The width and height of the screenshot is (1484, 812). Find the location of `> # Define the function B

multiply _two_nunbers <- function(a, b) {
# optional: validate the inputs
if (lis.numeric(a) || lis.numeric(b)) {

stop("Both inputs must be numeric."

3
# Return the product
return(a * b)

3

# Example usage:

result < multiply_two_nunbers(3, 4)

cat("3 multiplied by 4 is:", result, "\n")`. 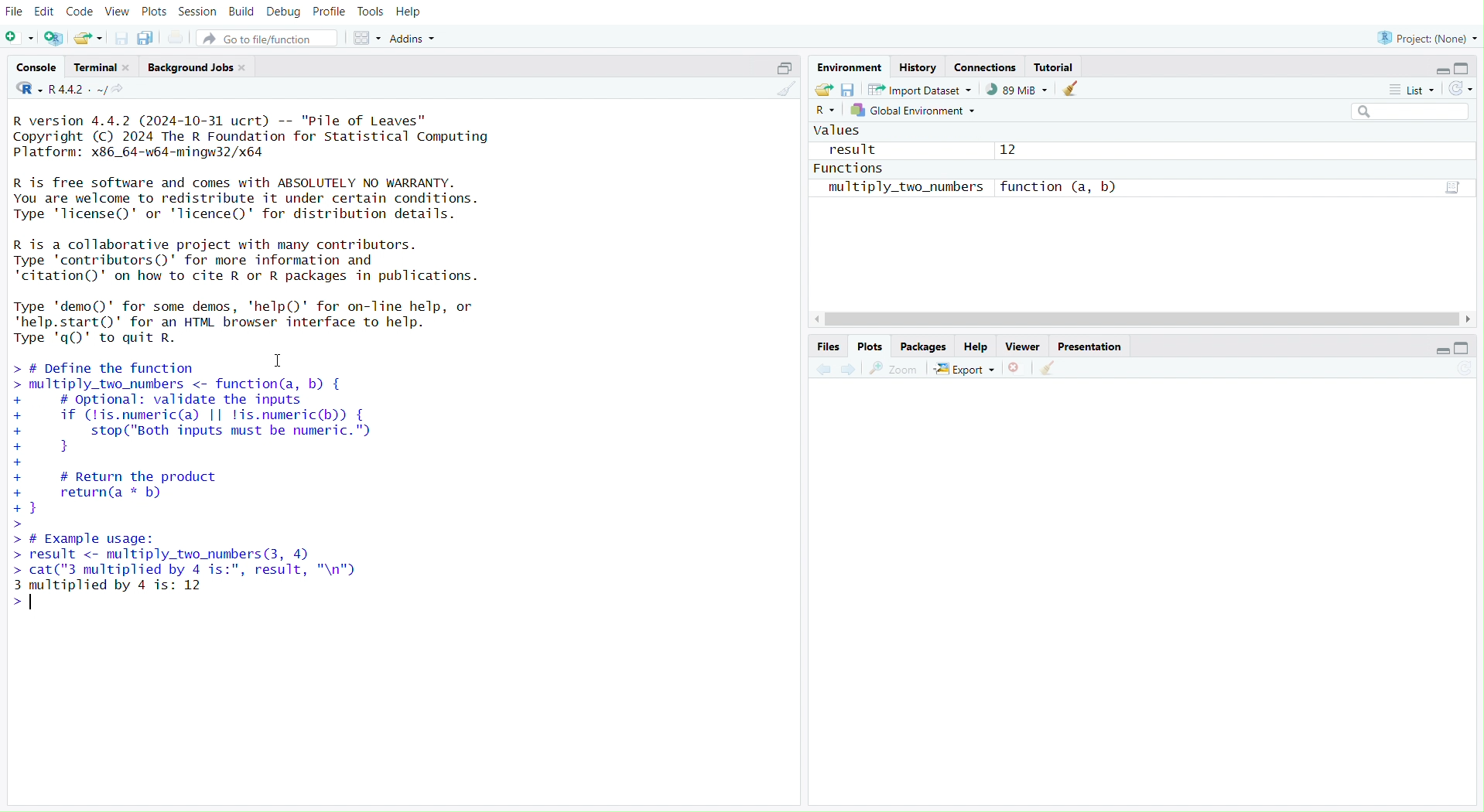

> # Define the function B

multiply _two_nunbers <- function(a, b) {
# optional: validate the inputs
if (lis.numeric(a) || lis.numeric(b)) {

stop("Both inputs must be numeric."

3
# Return the product
return(a * b)

3

# Example usage:

result < multiply_two_nunbers(3, 4)

cat("3 multiplied by 4 is:", result, "\n") is located at coordinates (400, 481).